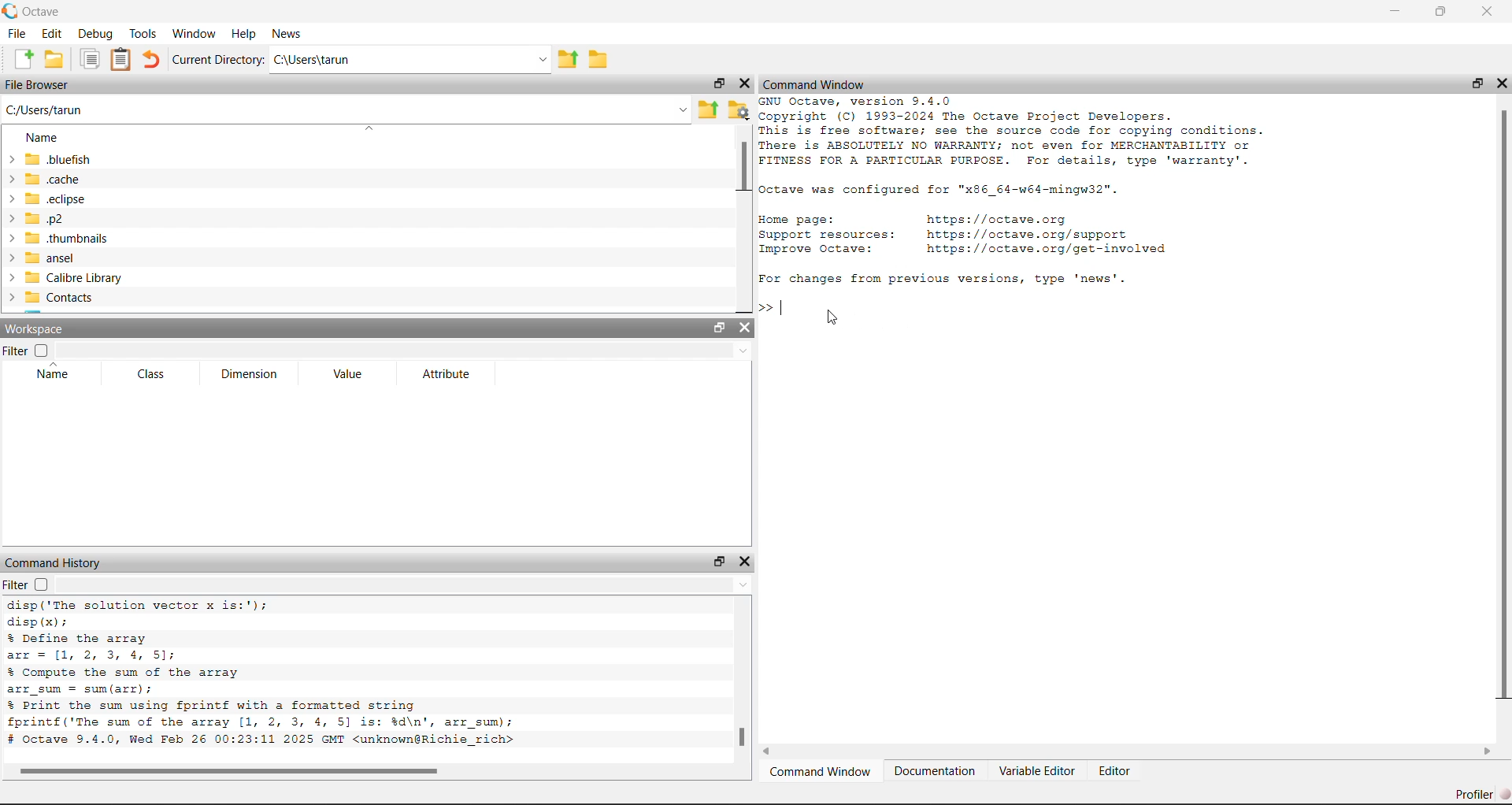 This screenshot has width=1512, height=805. I want to click on Command History, so click(57, 562).